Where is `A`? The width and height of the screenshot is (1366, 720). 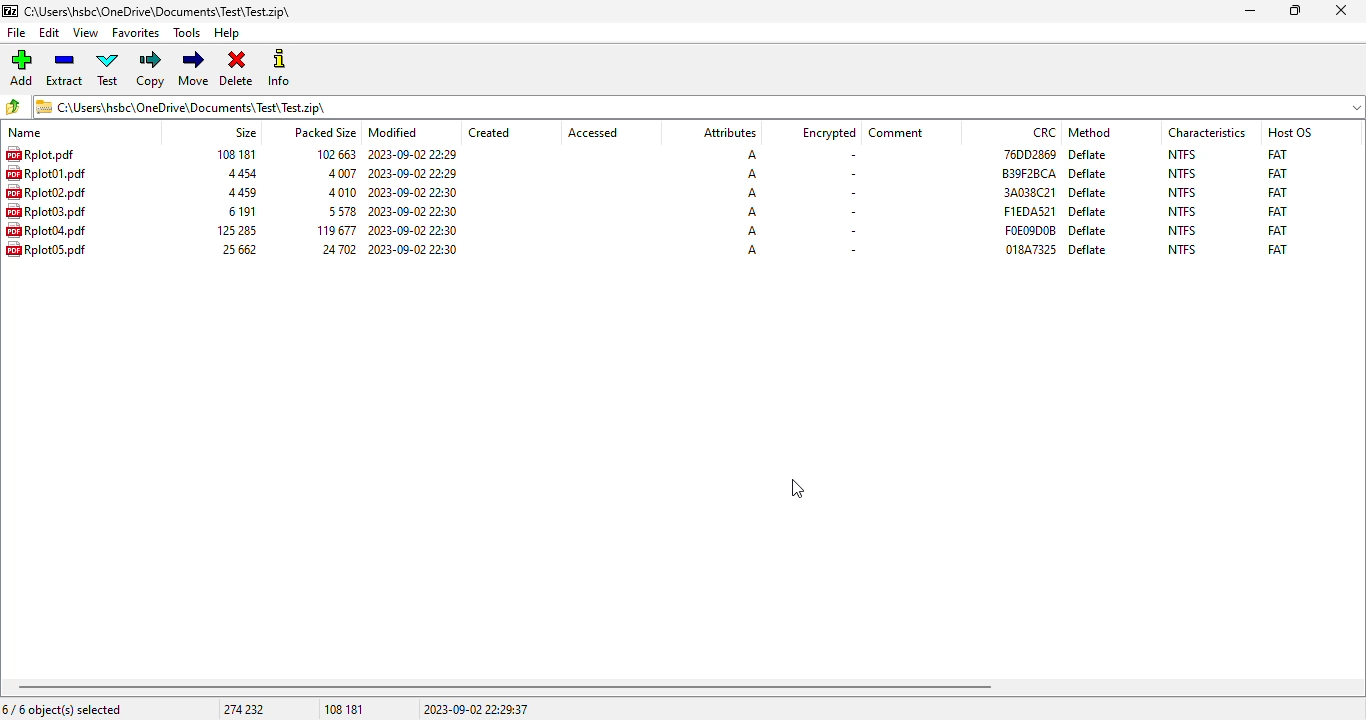 A is located at coordinates (750, 155).